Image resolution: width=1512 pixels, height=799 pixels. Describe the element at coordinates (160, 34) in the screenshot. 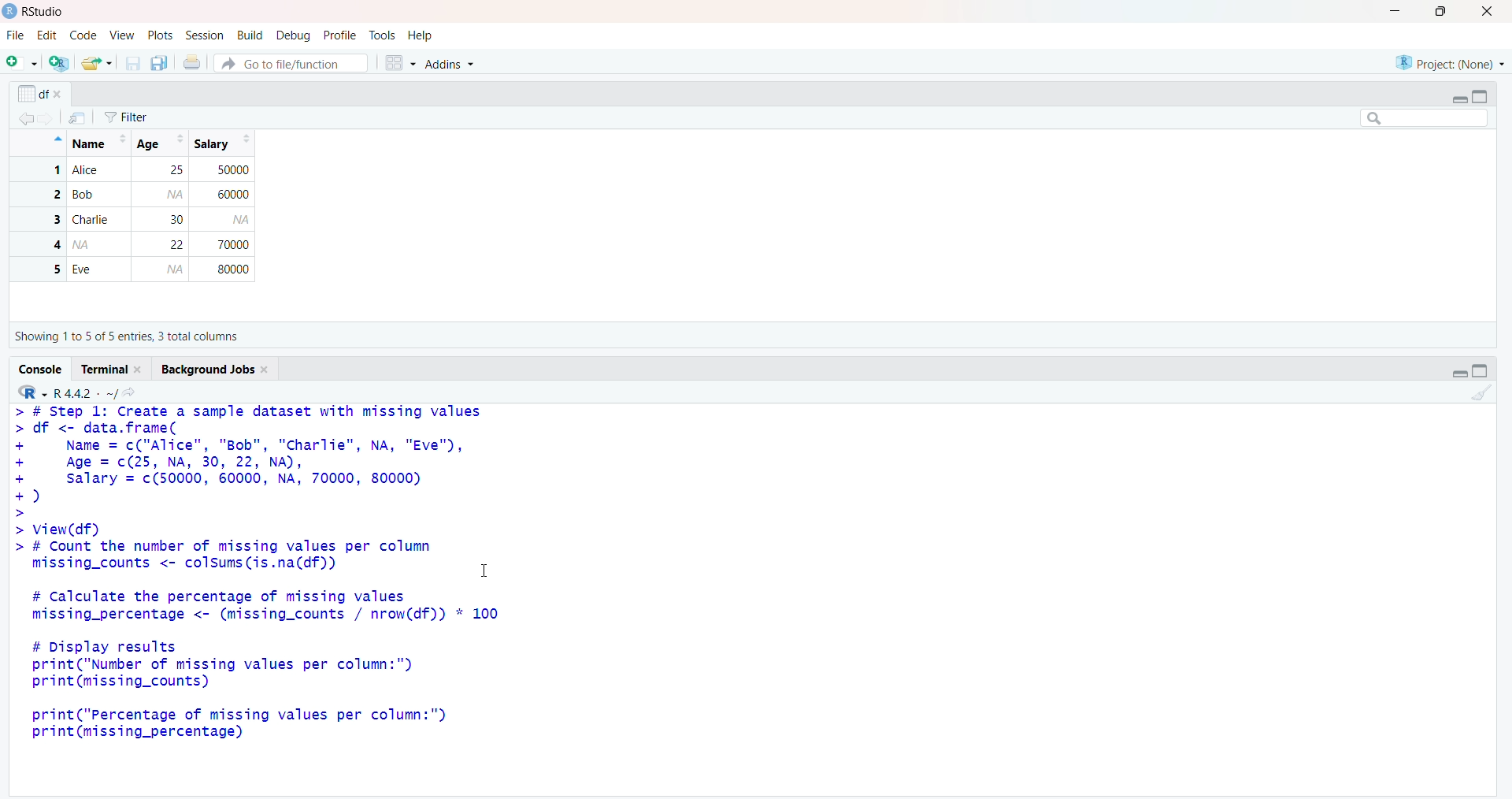

I see `Posts` at that location.